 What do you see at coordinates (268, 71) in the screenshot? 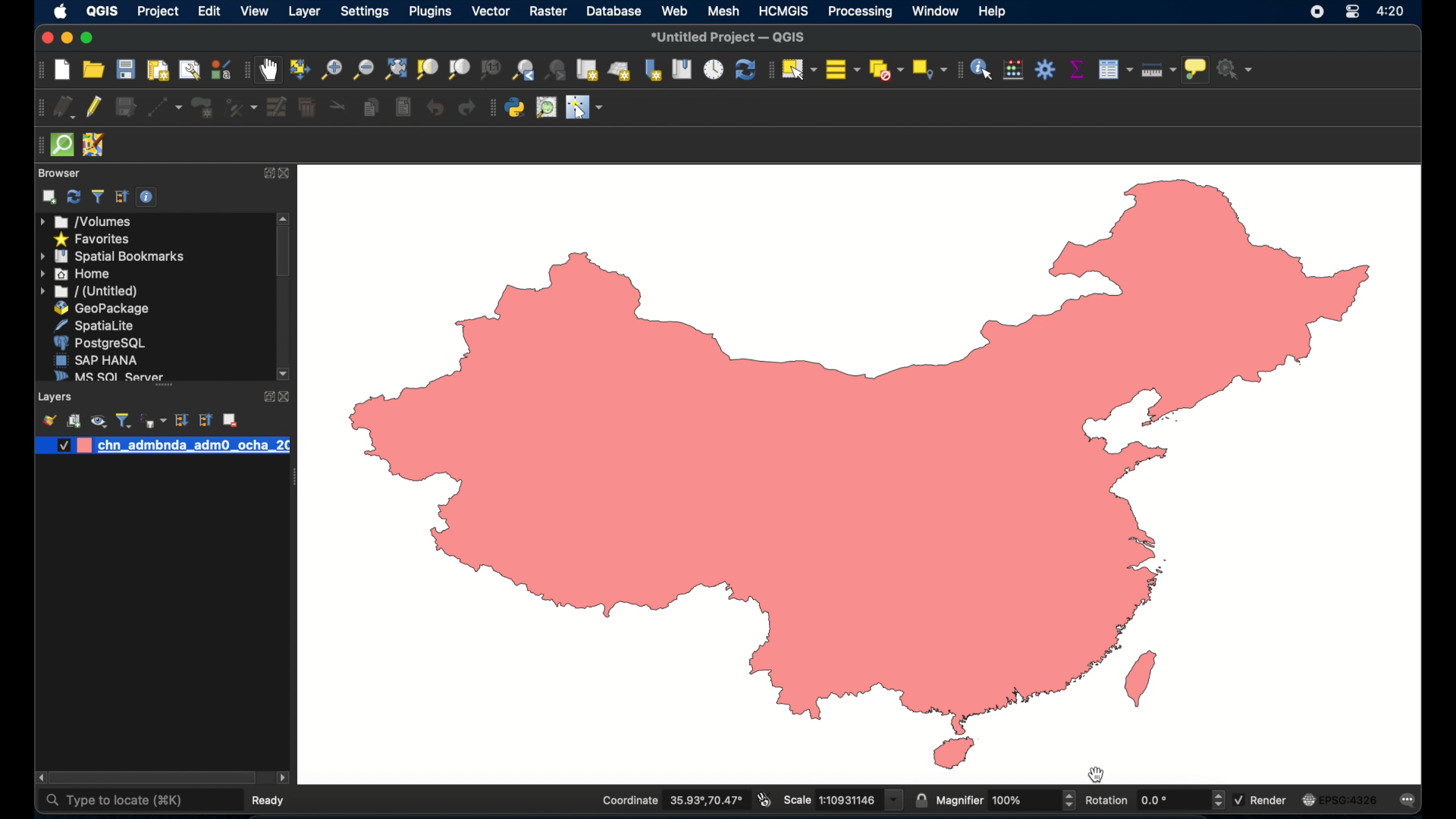
I see `pan map` at bounding box center [268, 71].